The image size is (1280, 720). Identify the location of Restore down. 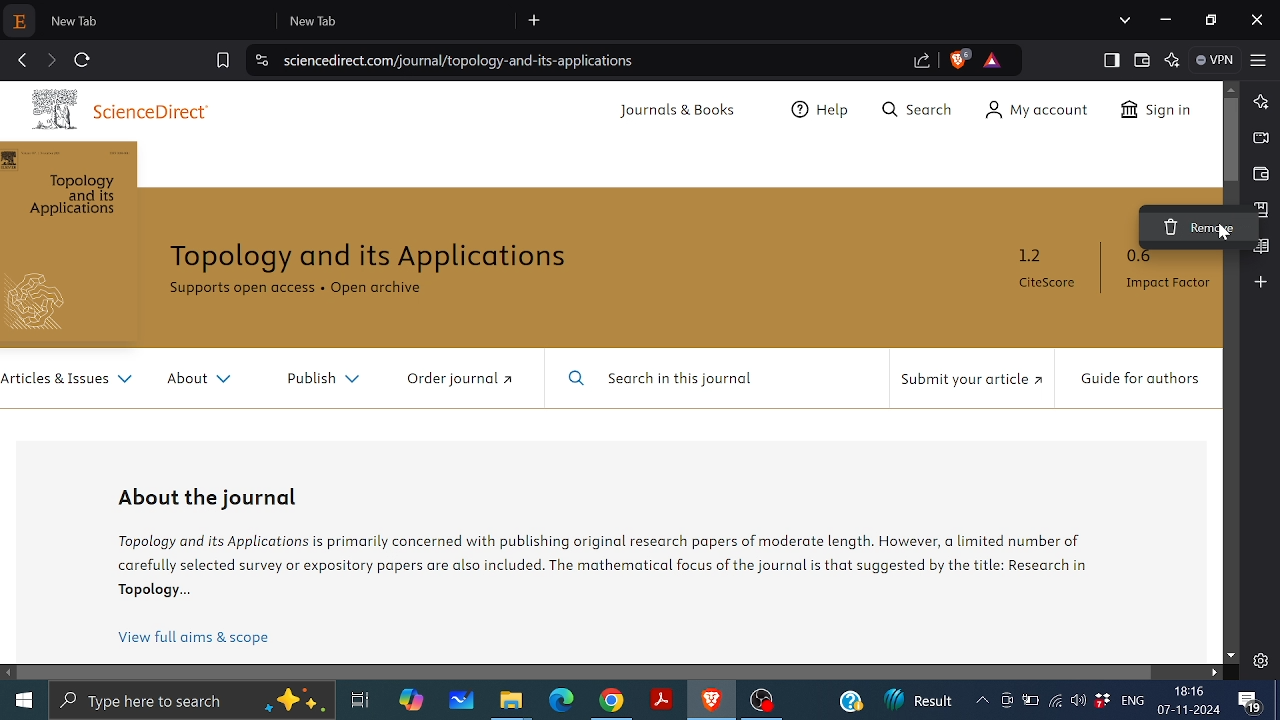
(1210, 18).